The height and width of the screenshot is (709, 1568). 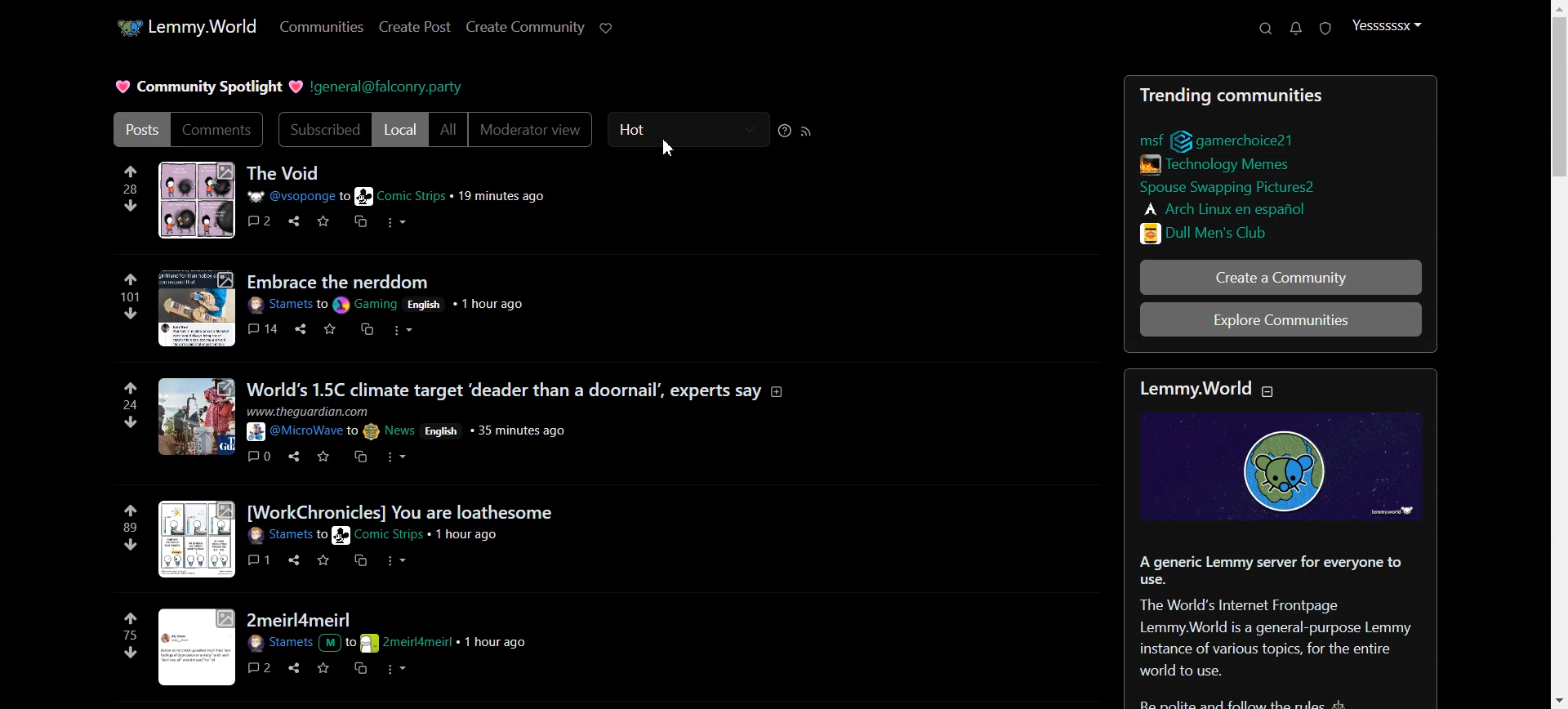 I want to click on share, so click(x=300, y=327).